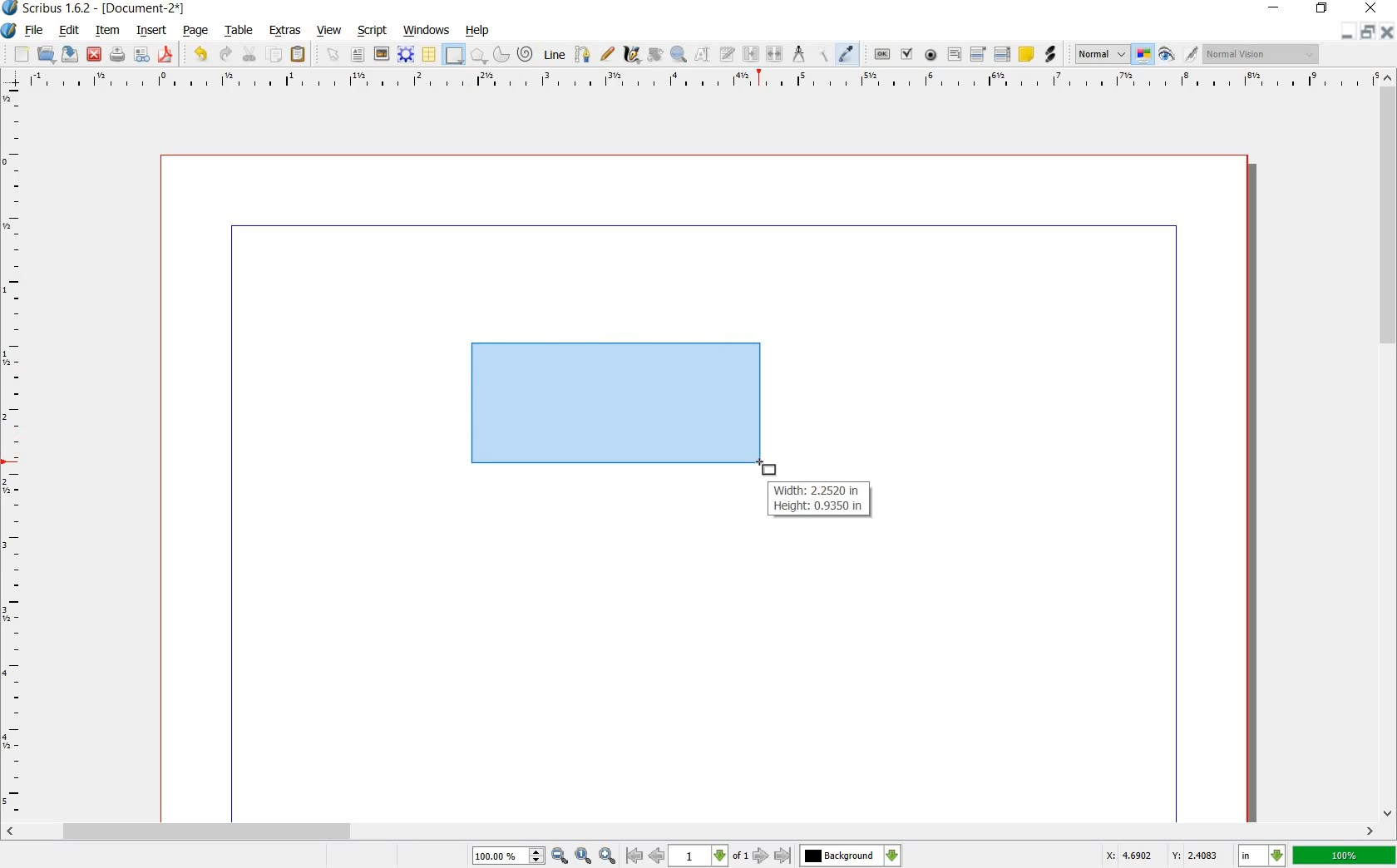  I want to click on COPY ITEM PROPERTIES, so click(822, 55).